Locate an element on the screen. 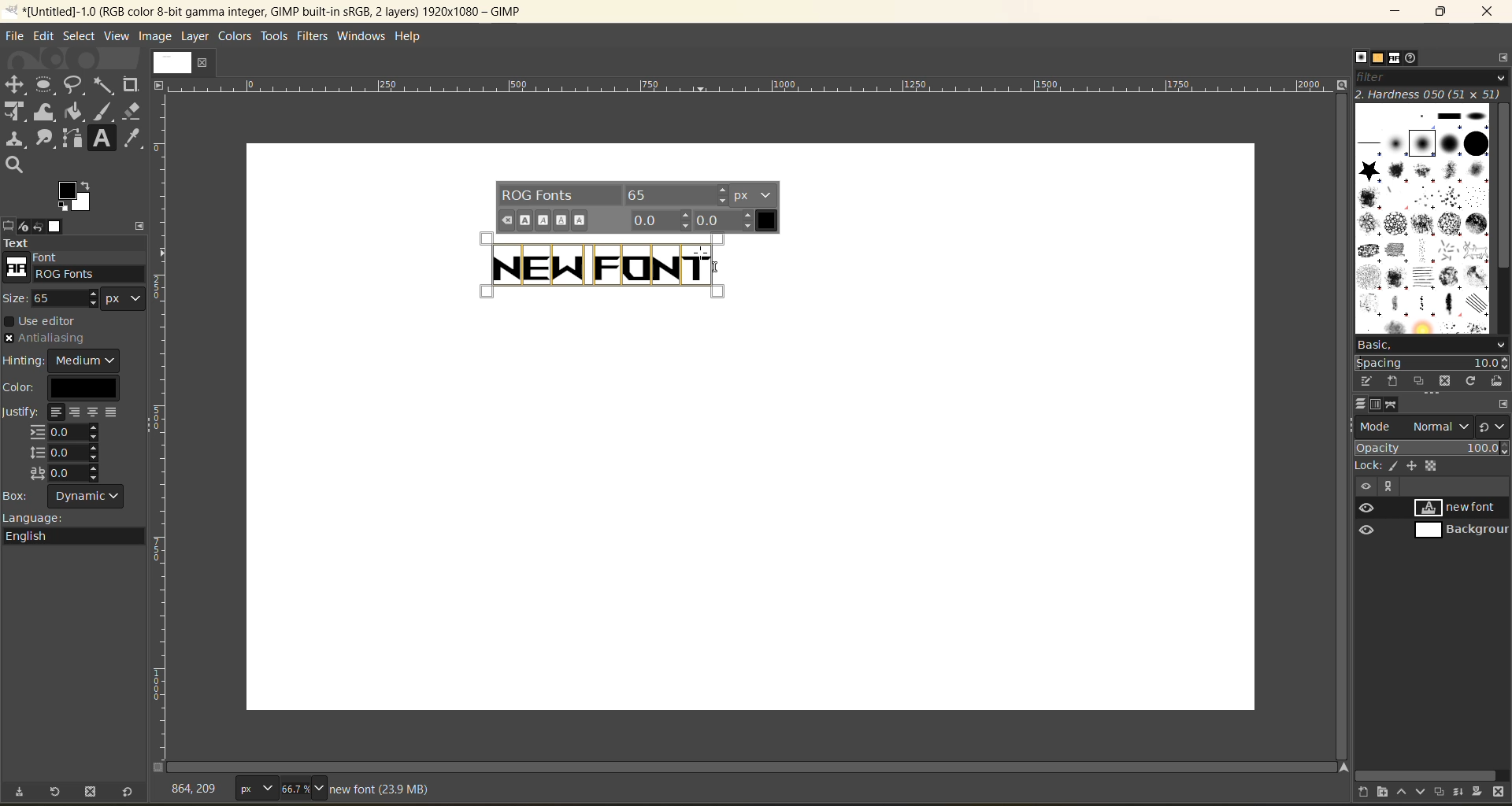 The image size is (1512, 806). size is located at coordinates (79, 298).